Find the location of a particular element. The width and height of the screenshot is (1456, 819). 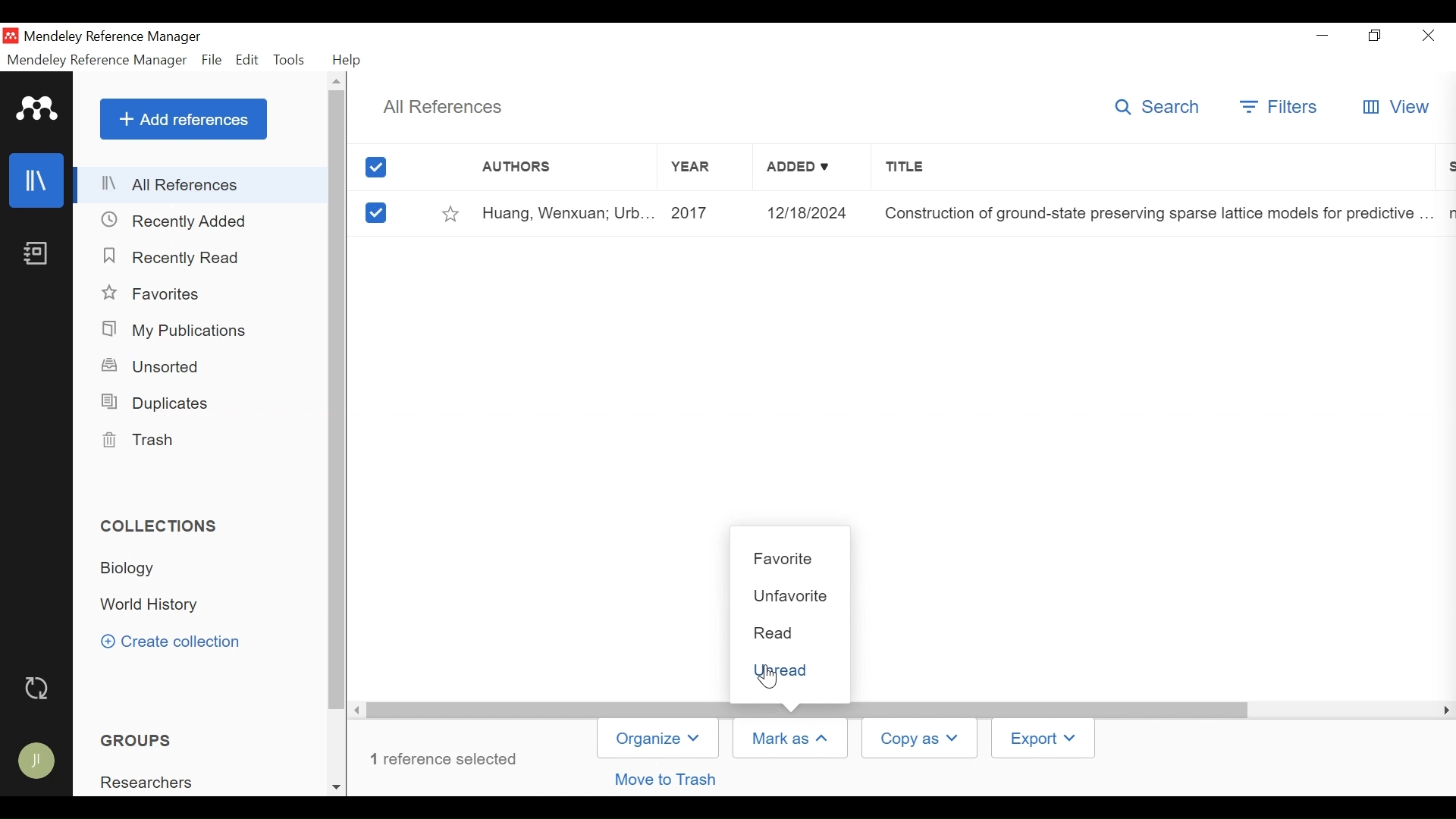

Export is located at coordinates (1043, 739).